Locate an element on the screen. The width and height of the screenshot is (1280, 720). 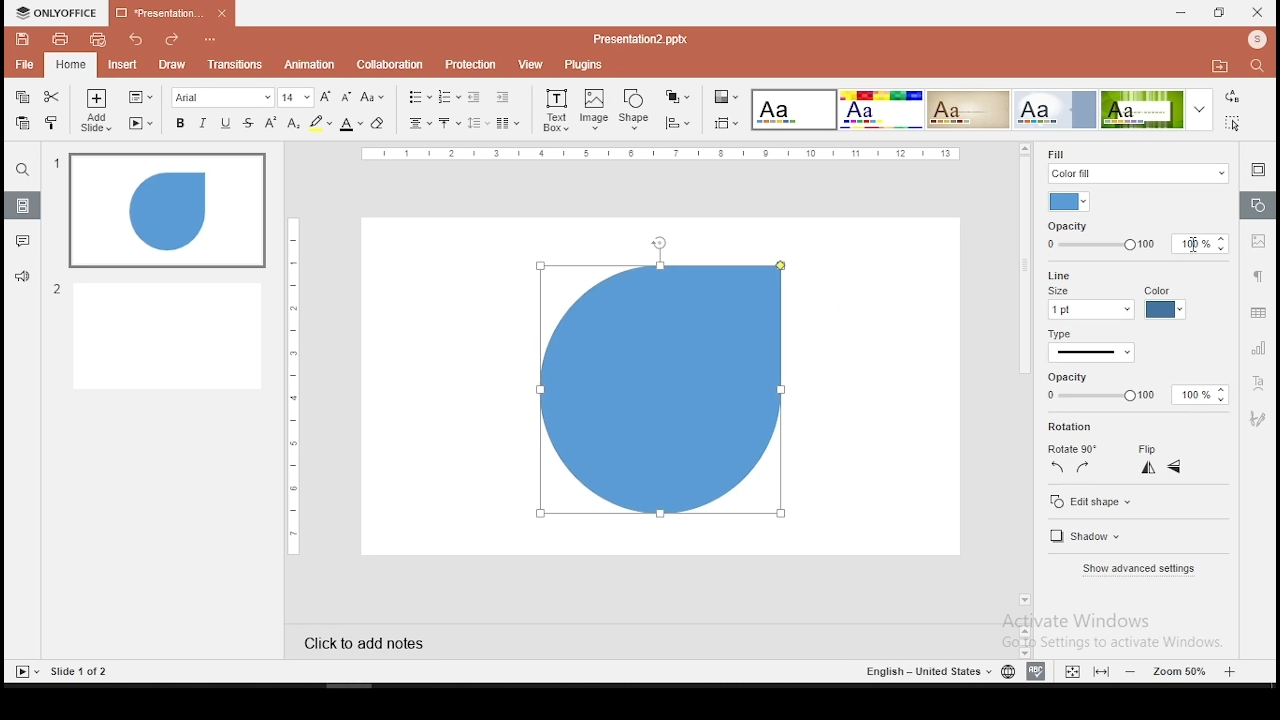
language is located at coordinates (1008, 672).